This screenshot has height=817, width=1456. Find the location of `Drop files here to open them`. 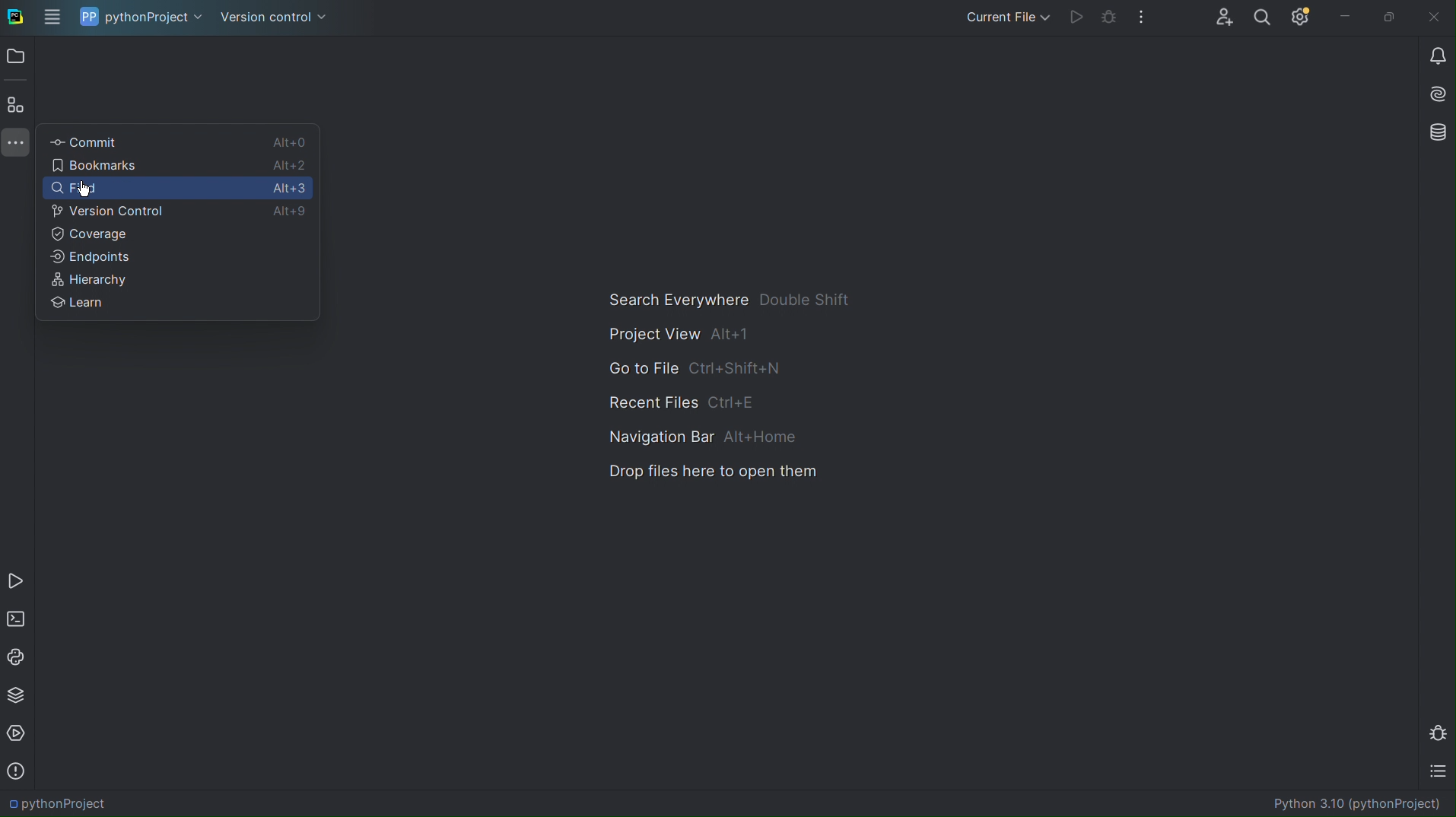

Drop files here to open them is located at coordinates (711, 473).